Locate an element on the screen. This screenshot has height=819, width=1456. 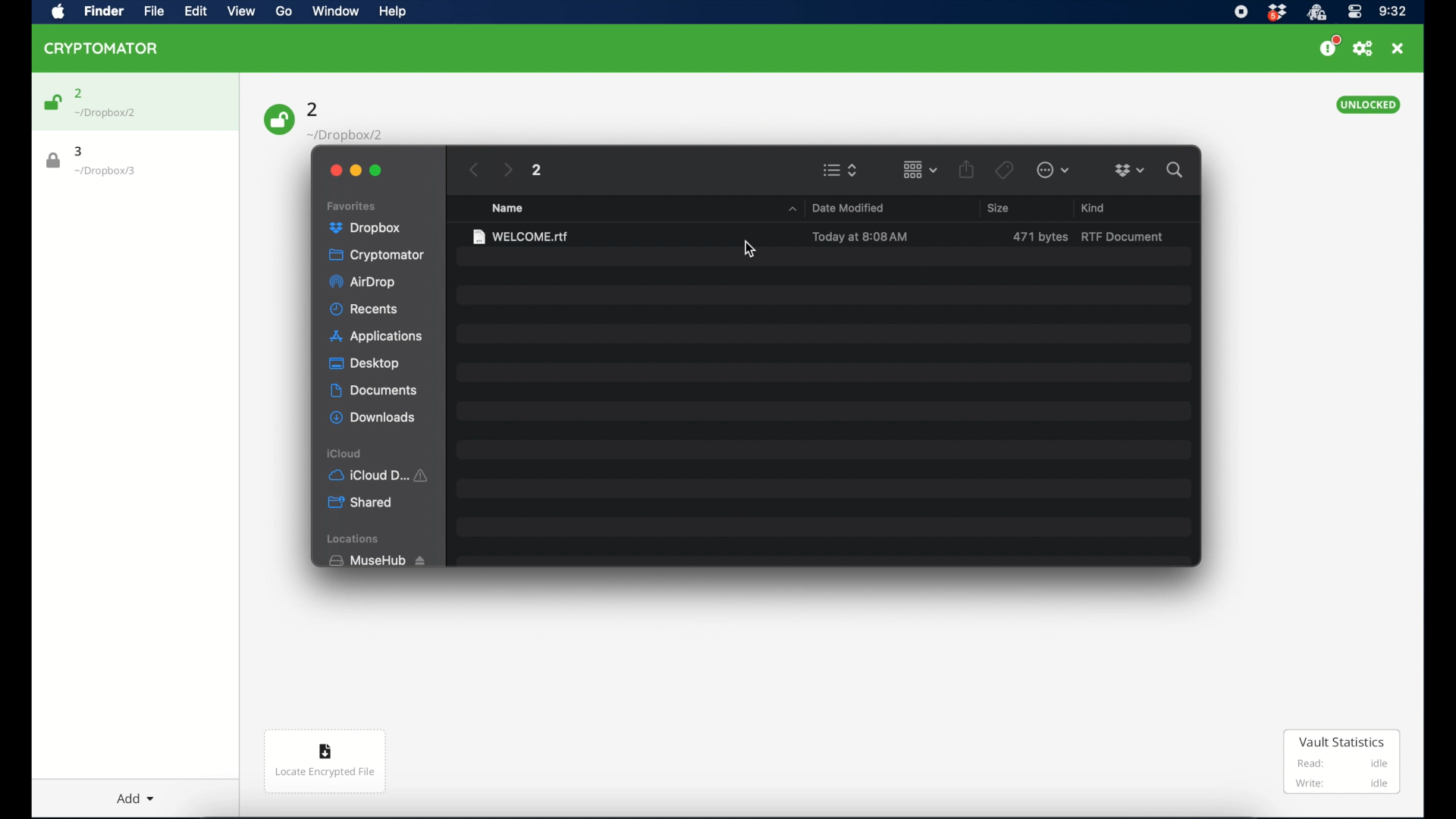
unlock icon is located at coordinates (52, 102).